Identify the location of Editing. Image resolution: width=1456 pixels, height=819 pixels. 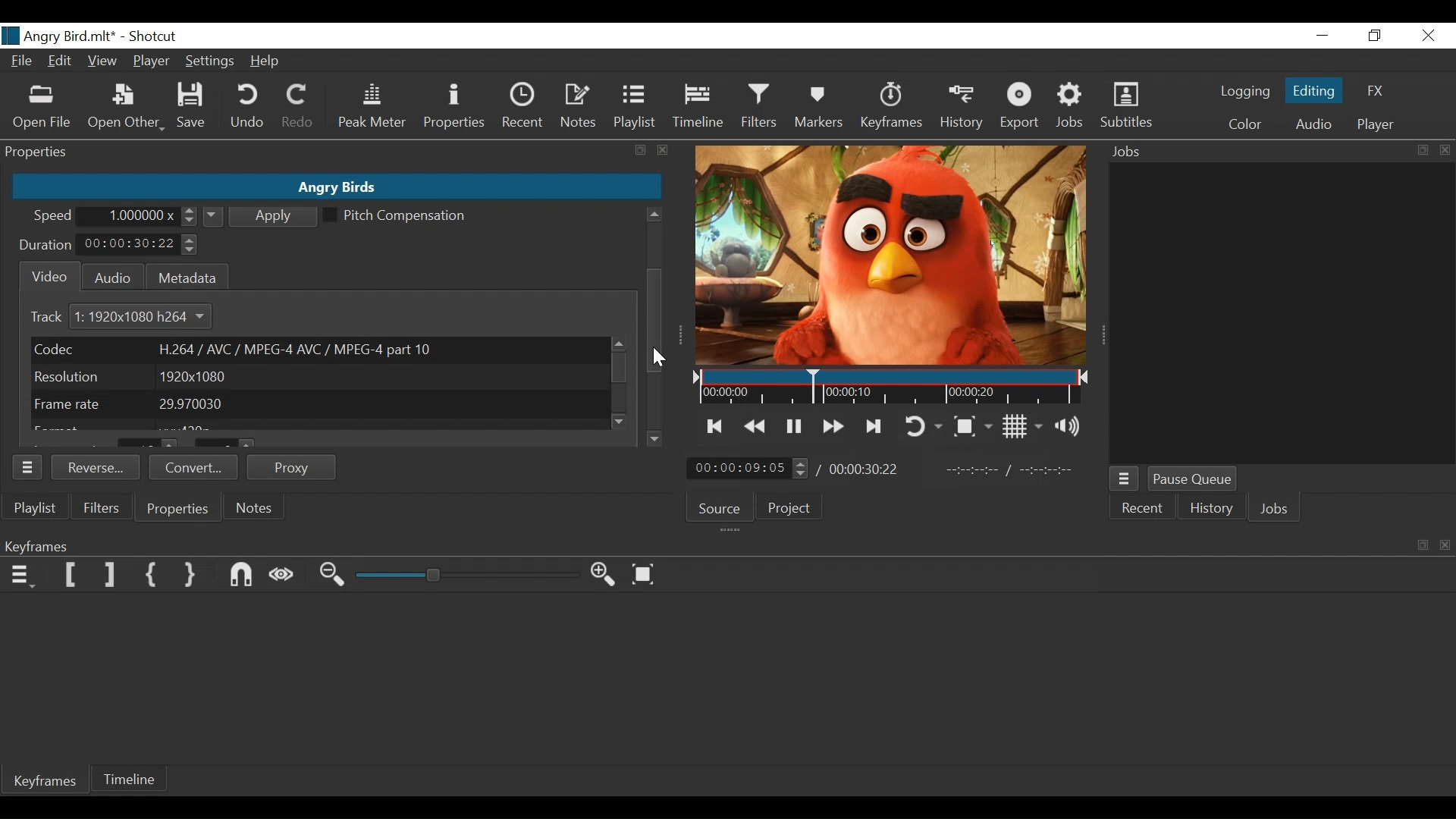
(1311, 90).